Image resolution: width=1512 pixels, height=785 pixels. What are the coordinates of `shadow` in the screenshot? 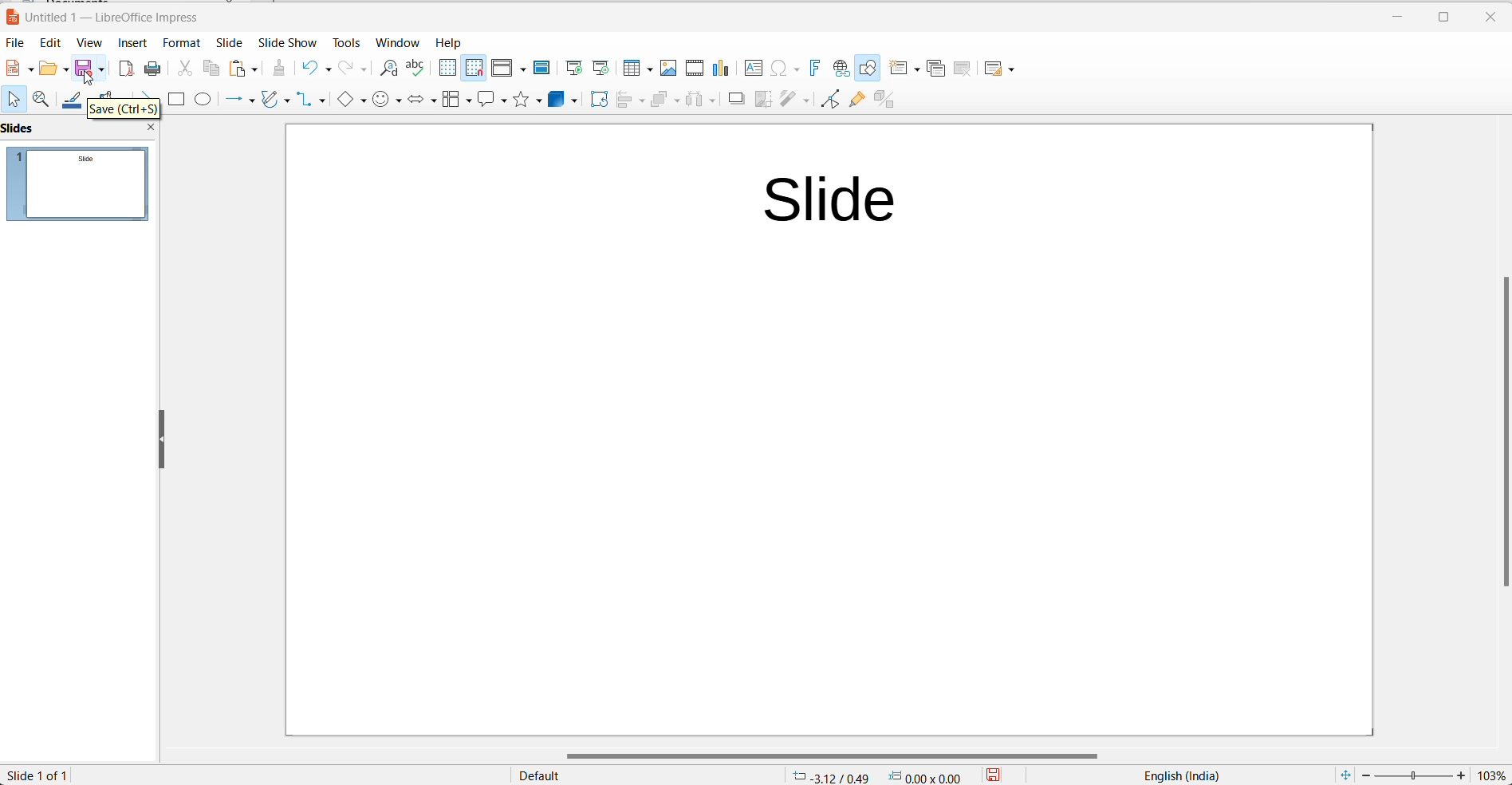 It's located at (738, 101).